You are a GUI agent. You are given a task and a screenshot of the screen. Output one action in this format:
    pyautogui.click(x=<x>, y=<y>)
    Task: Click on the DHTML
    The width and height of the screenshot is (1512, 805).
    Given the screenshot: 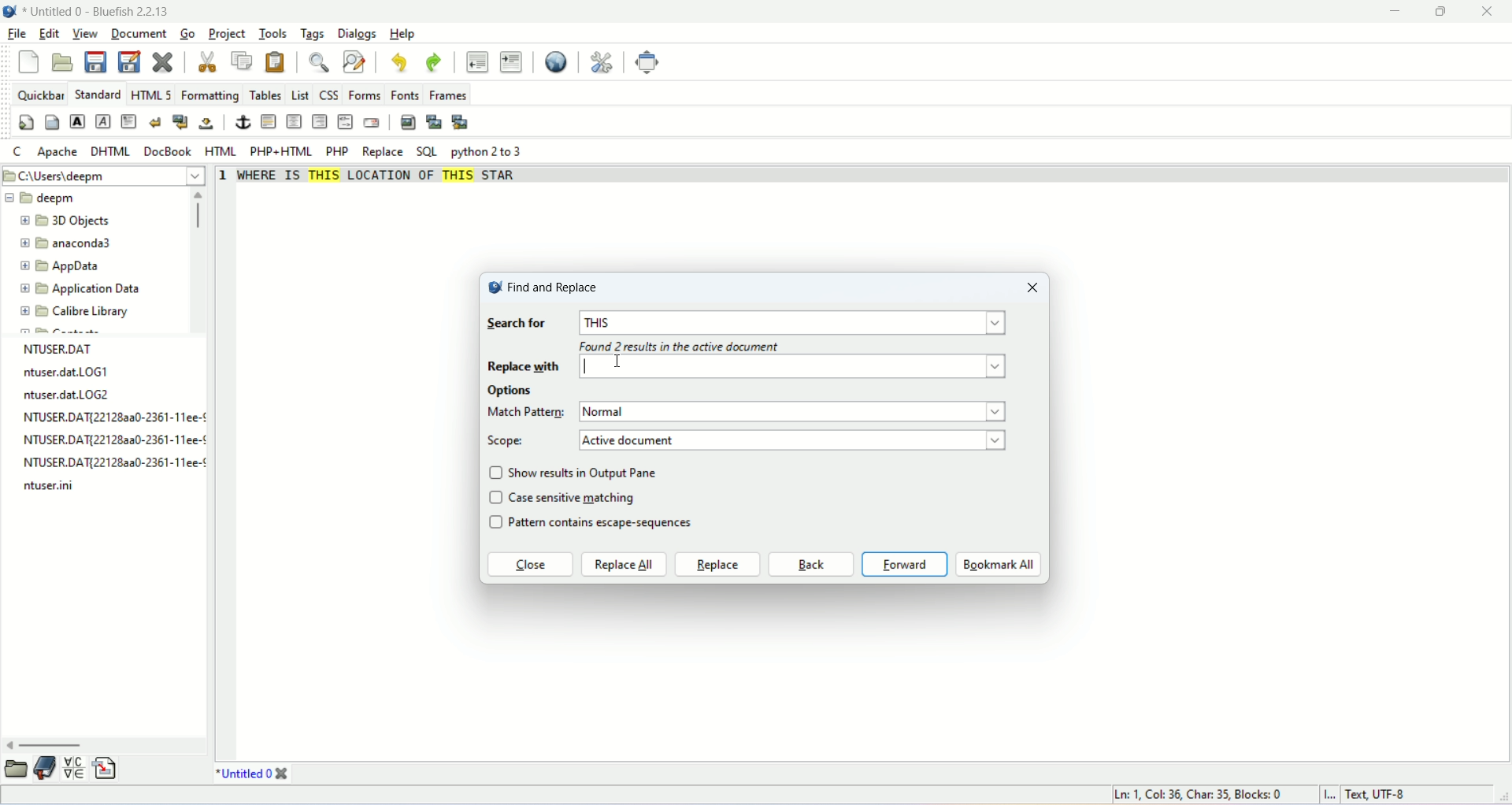 What is the action you would take?
    pyautogui.click(x=108, y=151)
    